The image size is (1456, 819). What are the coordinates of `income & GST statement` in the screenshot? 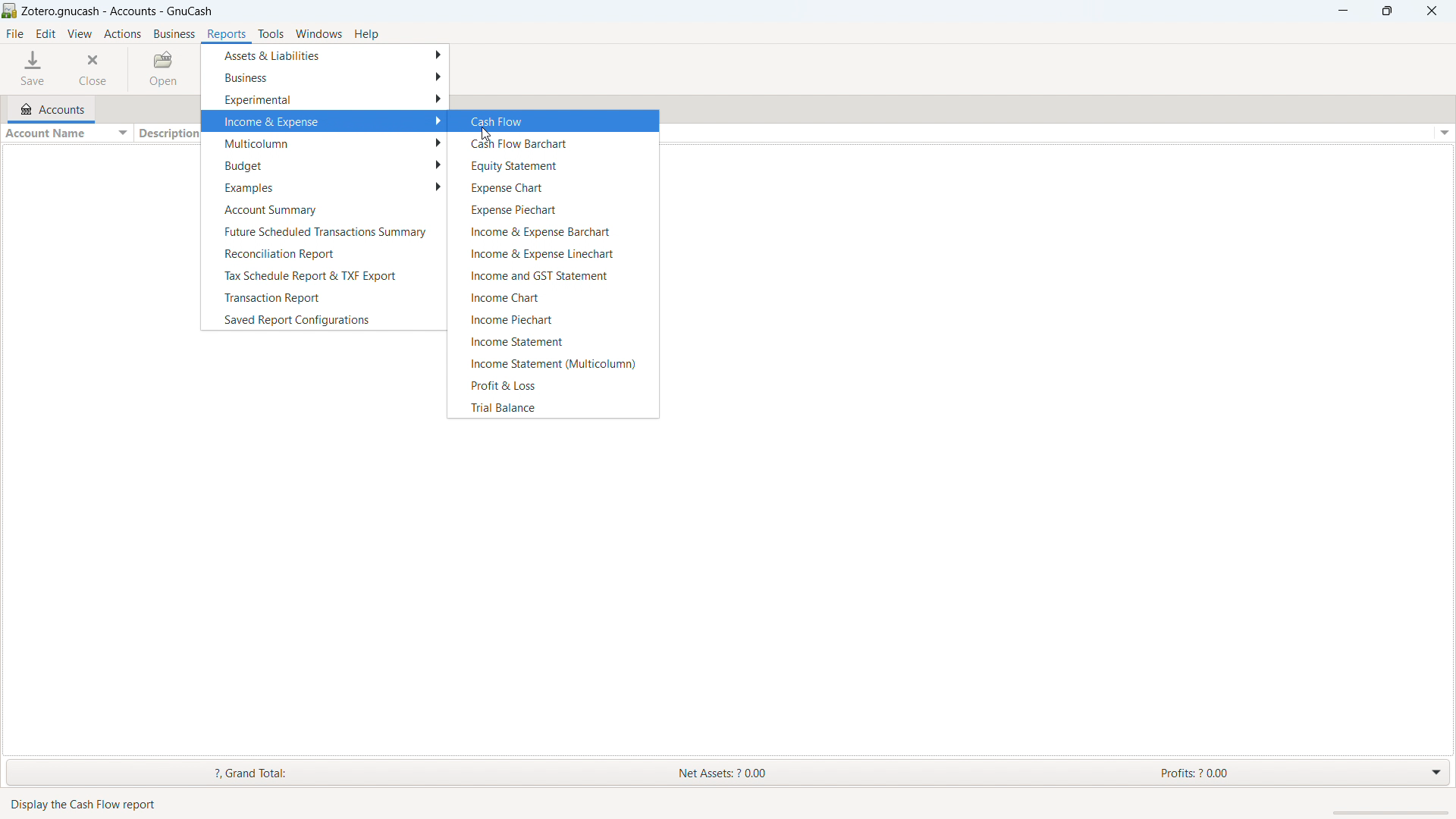 It's located at (552, 275).